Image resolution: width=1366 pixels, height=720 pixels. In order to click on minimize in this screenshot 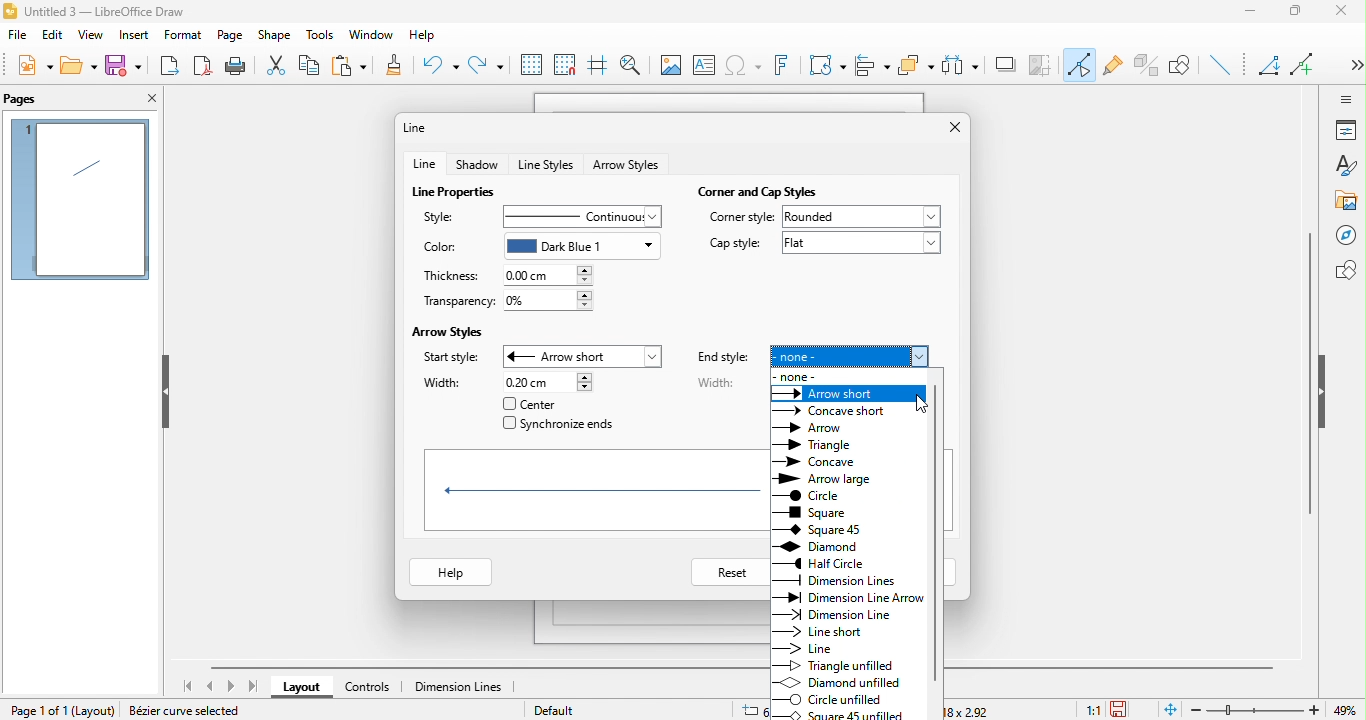, I will do `click(1255, 14)`.